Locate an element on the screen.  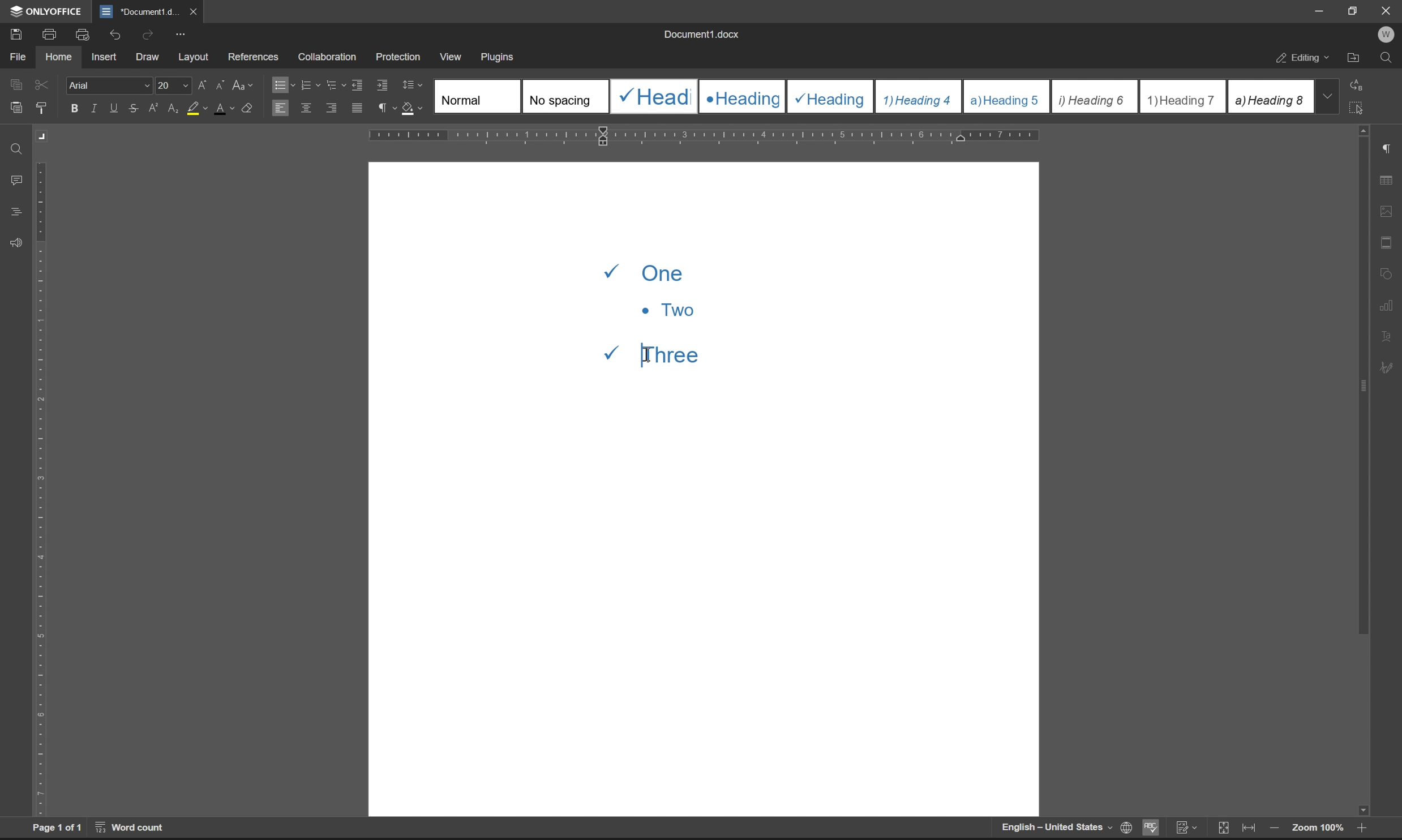
insert is located at coordinates (104, 56).